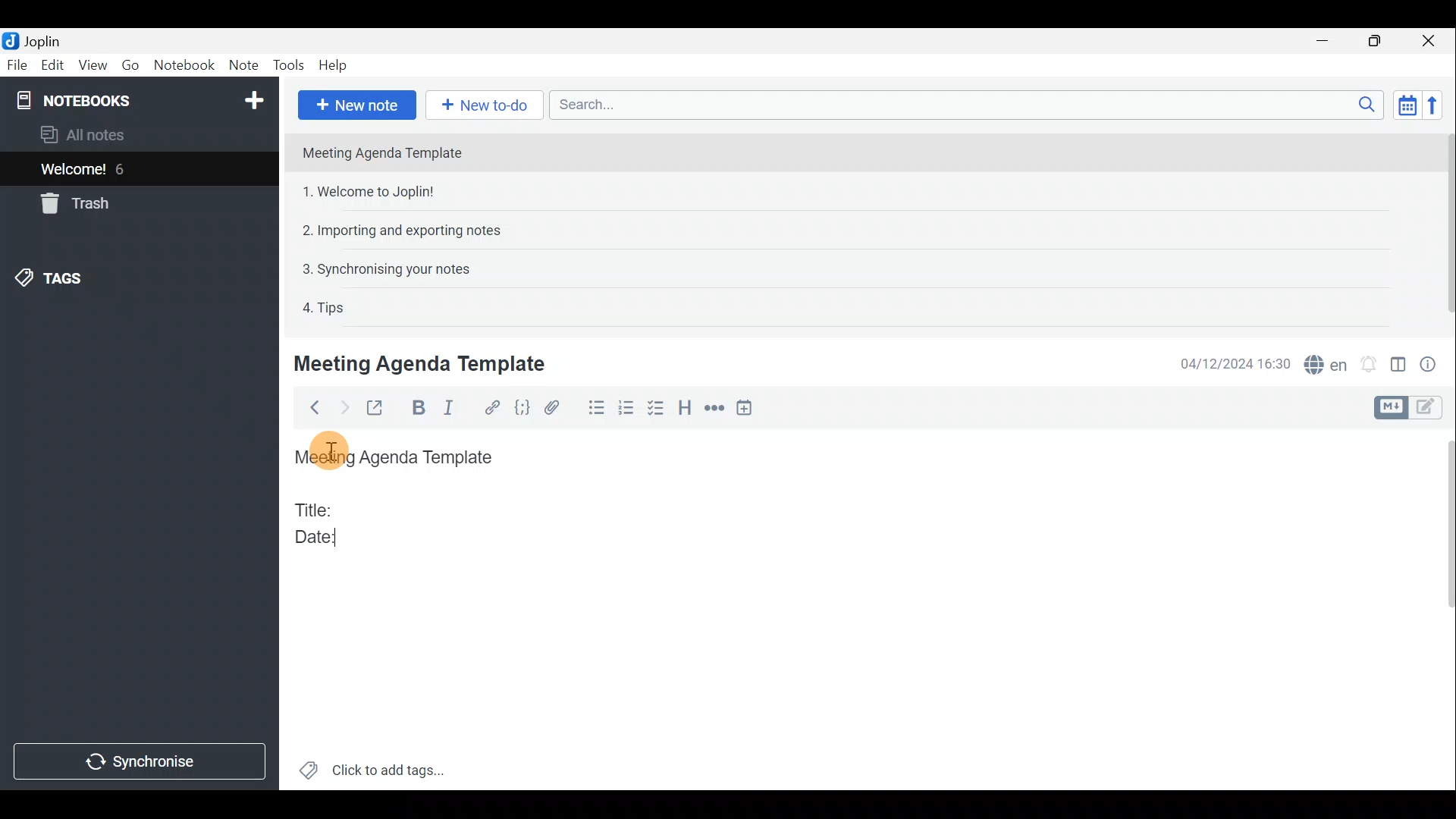 The width and height of the screenshot is (1456, 819). I want to click on Heading, so click(680, 409).